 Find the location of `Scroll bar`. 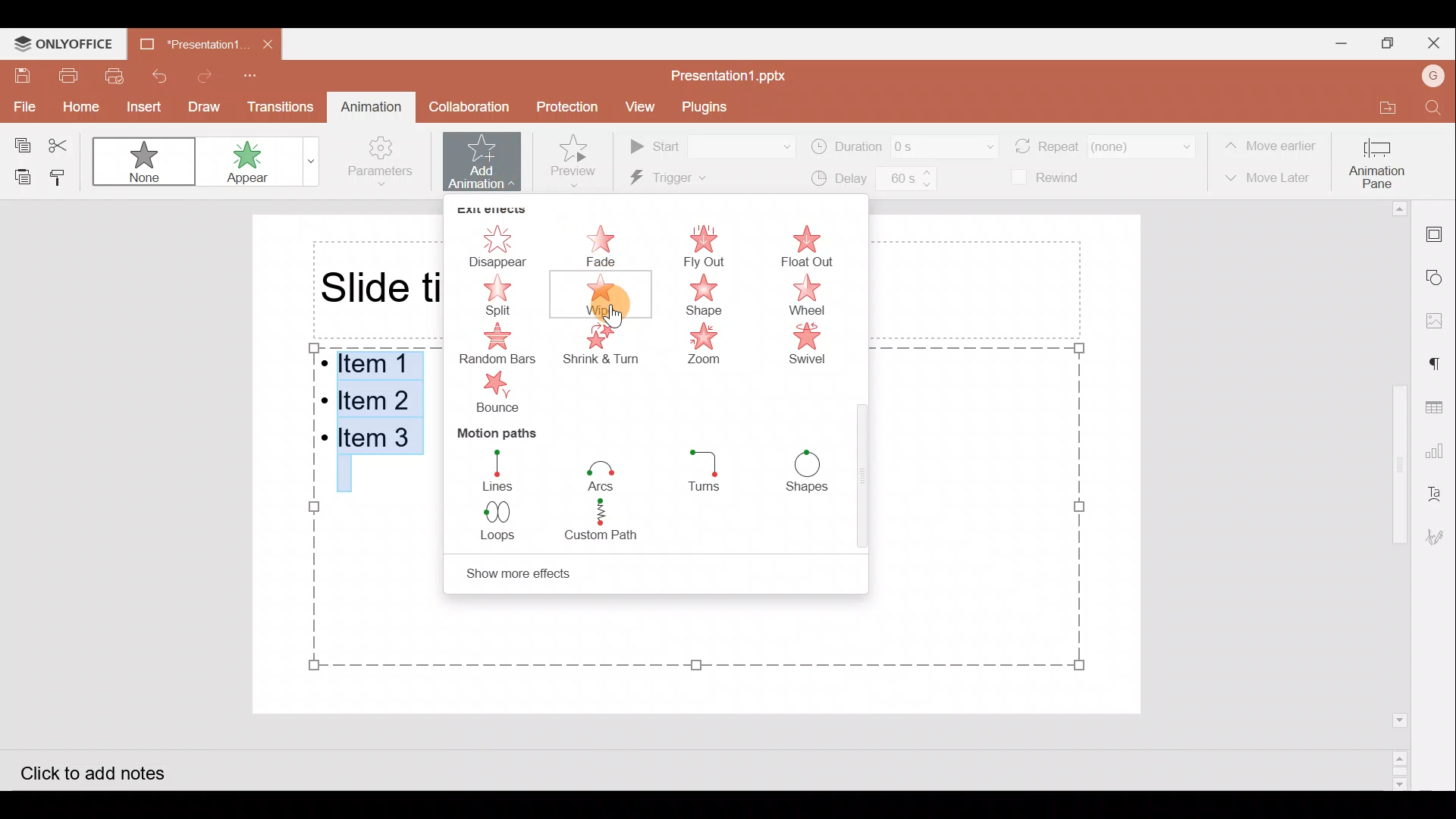

Scroll bar is located at coordinates (863, 485).